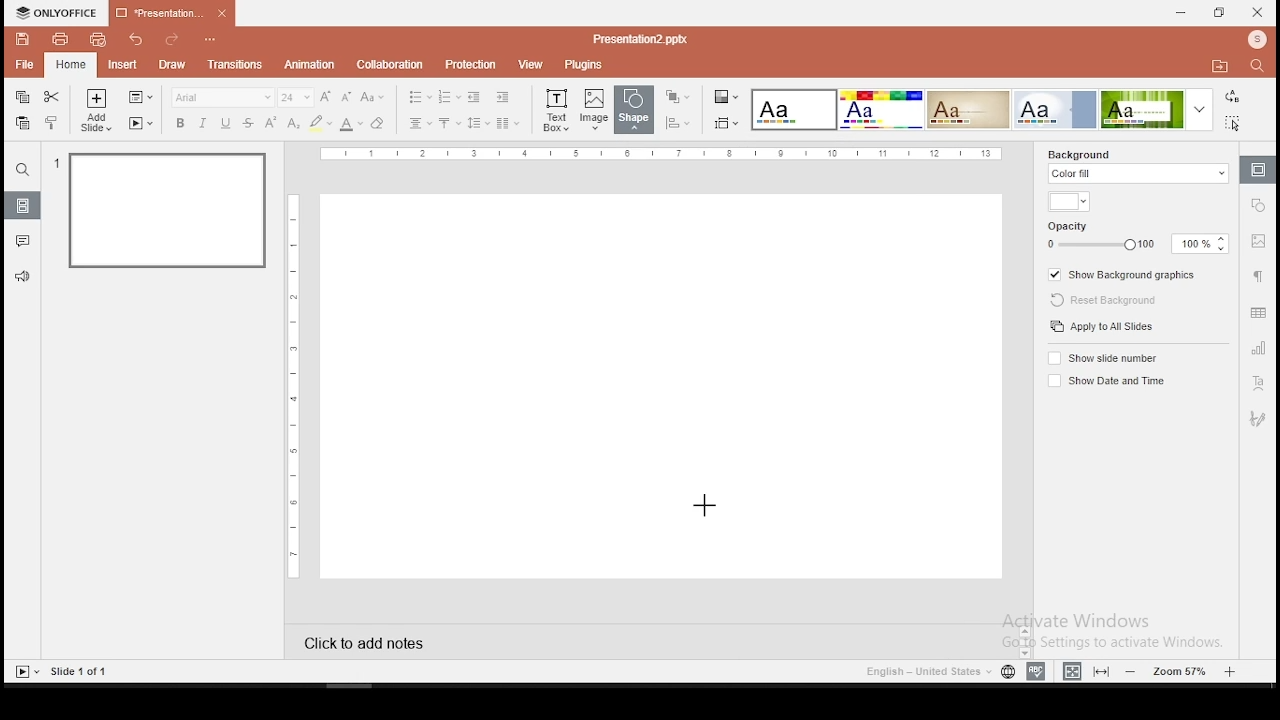 The width and height of the screenshot is (1280, 720). What do you see at coordinates (727, 98) in the screenshot?
I see `select color theme` at bounding box center [727, 98].